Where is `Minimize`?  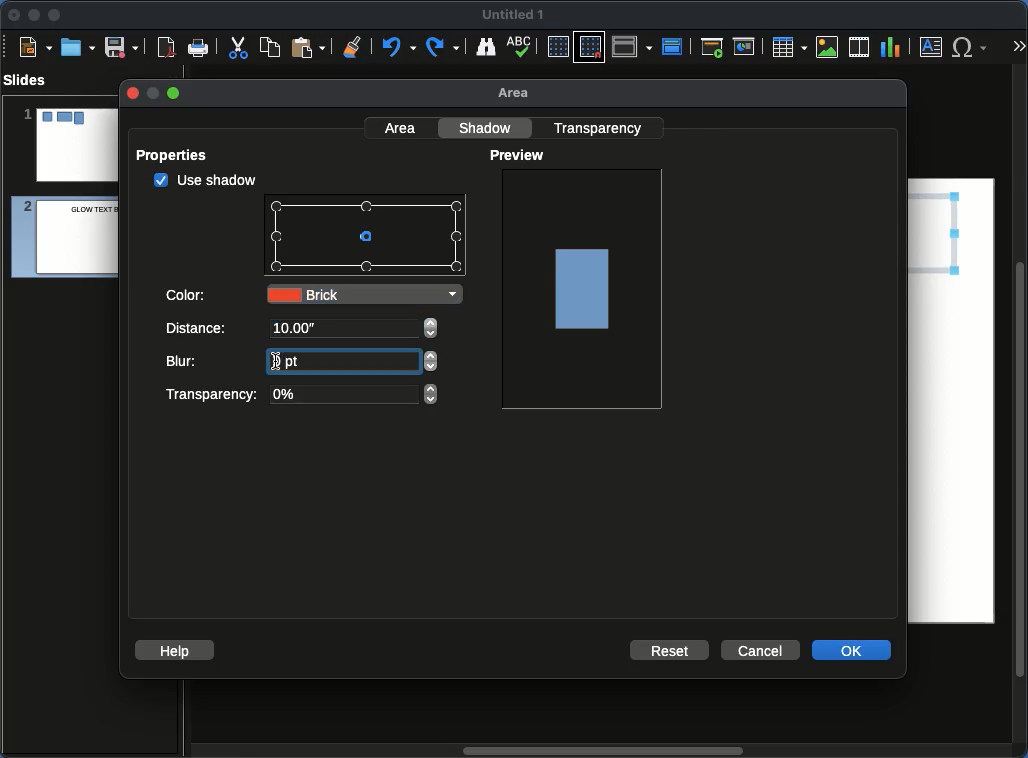
Minimize is located at coordinates (33, 14).